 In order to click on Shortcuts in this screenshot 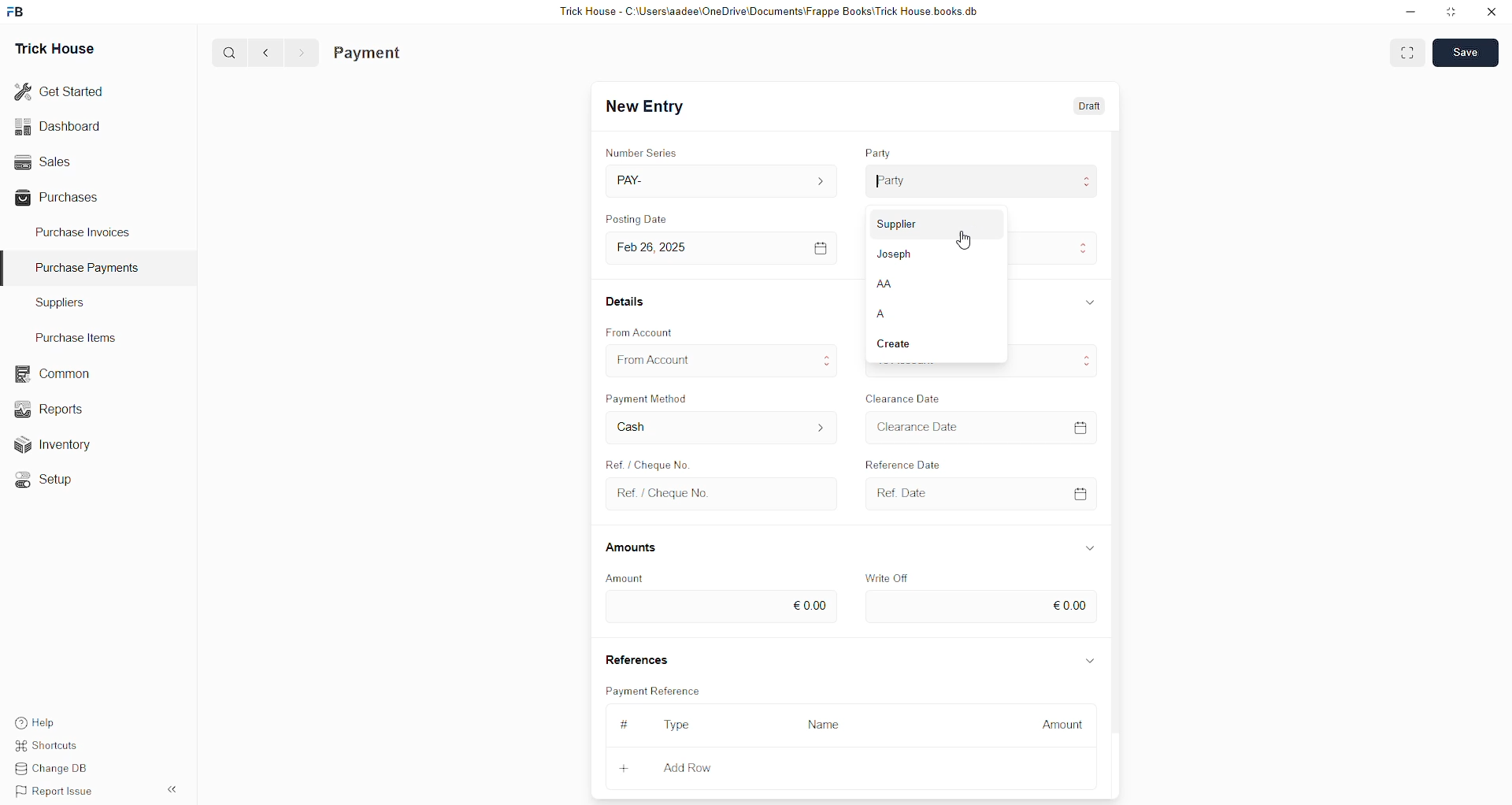, I will do `click(47, 746)`.